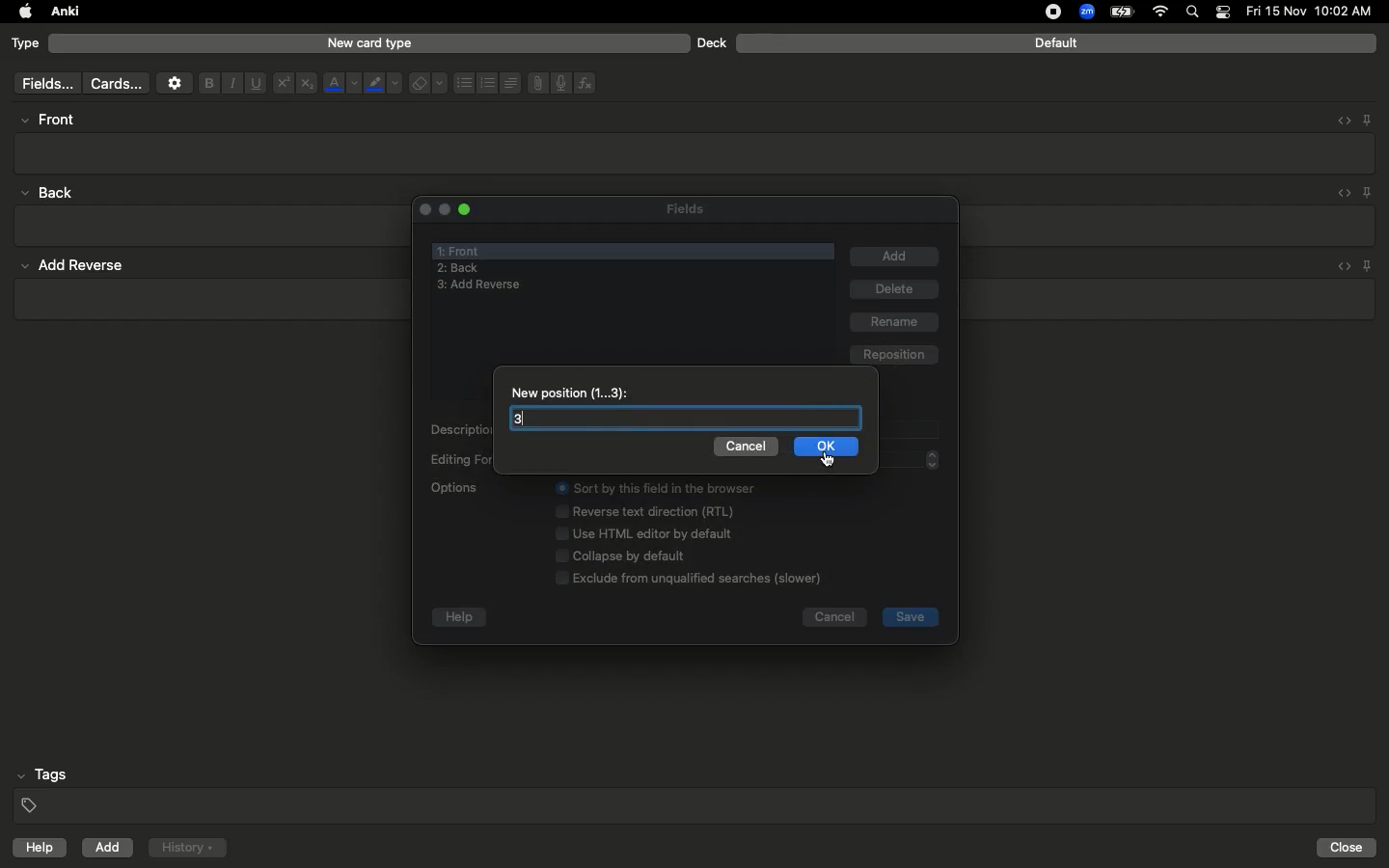  What do you see at coordinates (427, 84) in the screenshot?
I see `Eraser` at bounding box center [427, 84].